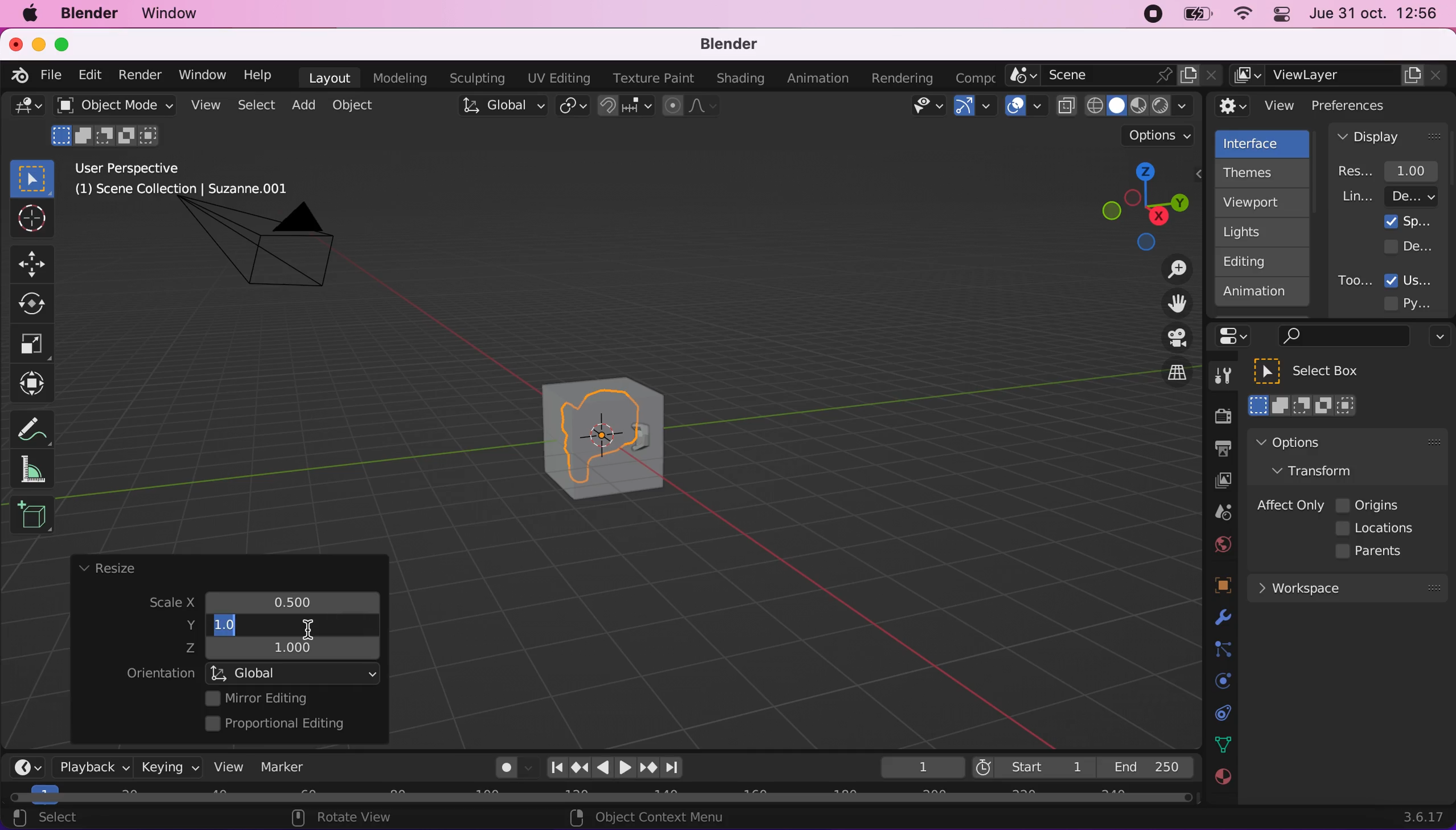 The width and height of the screenshot is (1456, 830). Describe the element at coordinates (283, 767) in the screenshot. I see `marker` at that location.